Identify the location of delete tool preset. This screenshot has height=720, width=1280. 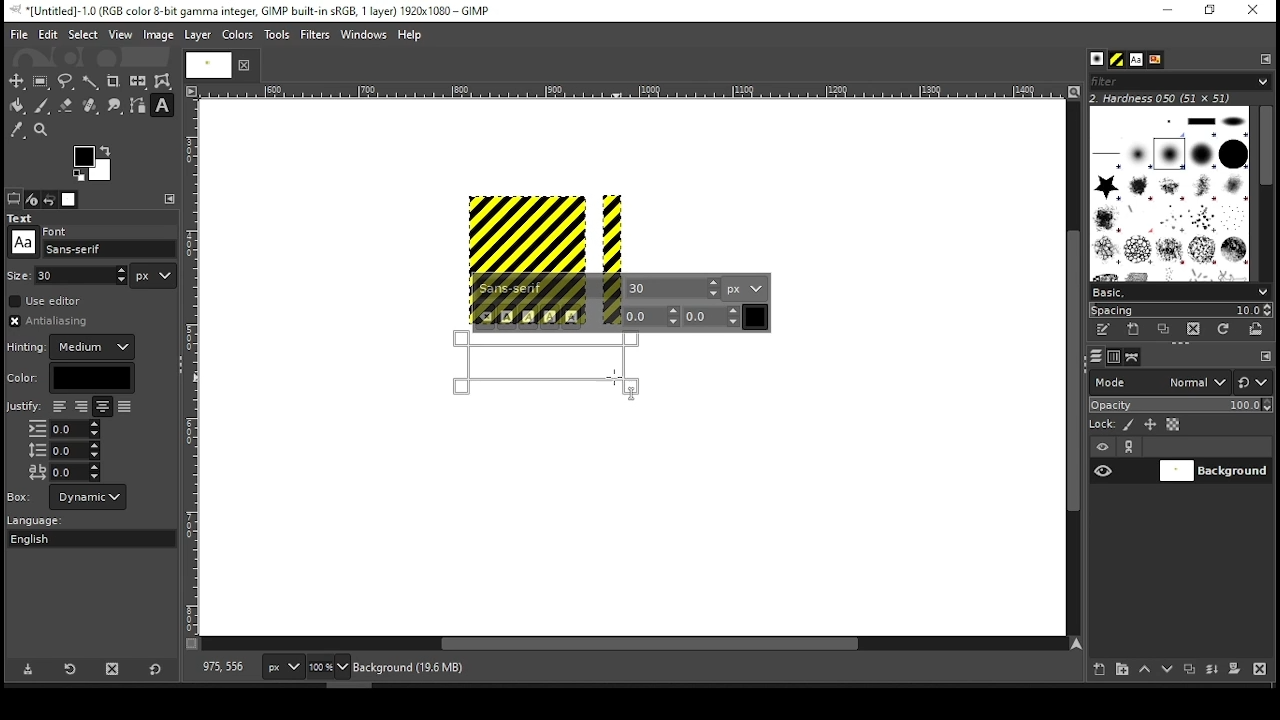
(118, 668).